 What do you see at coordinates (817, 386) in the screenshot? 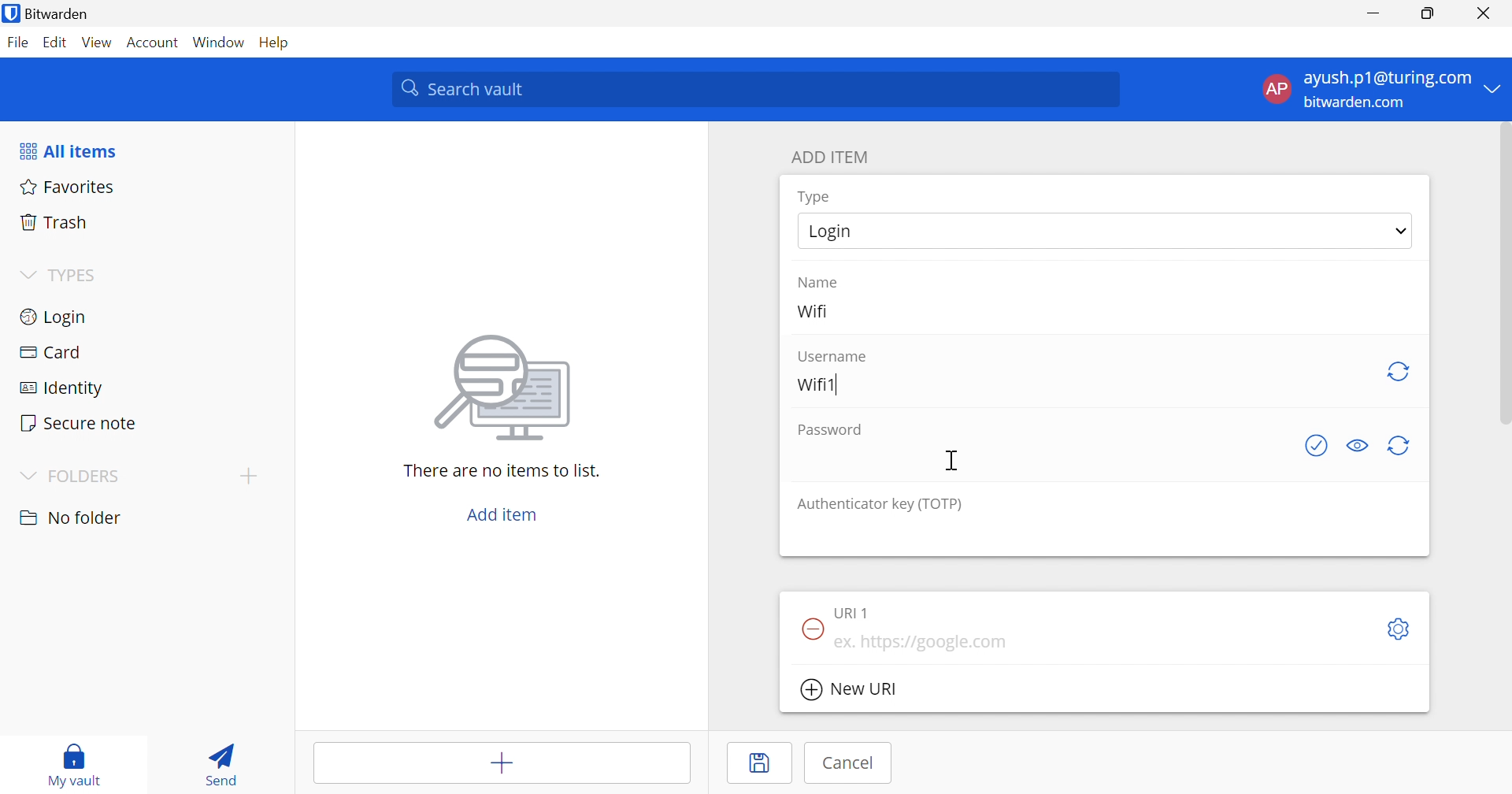
I see `Wifi1` at bounding box center [817, 386].